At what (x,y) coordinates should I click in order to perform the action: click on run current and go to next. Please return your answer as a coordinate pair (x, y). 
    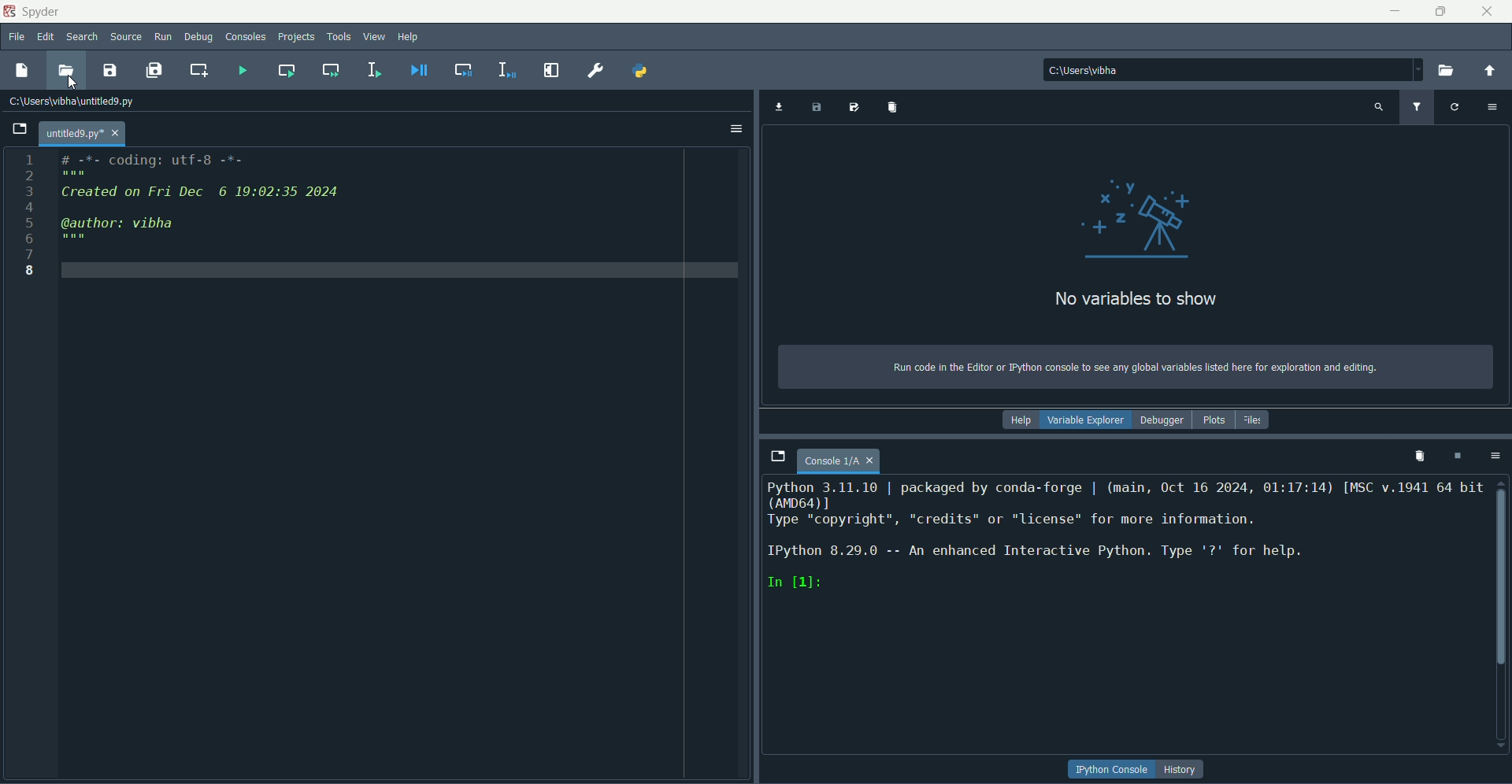
    Looking at the image, I should click on (330, 68).